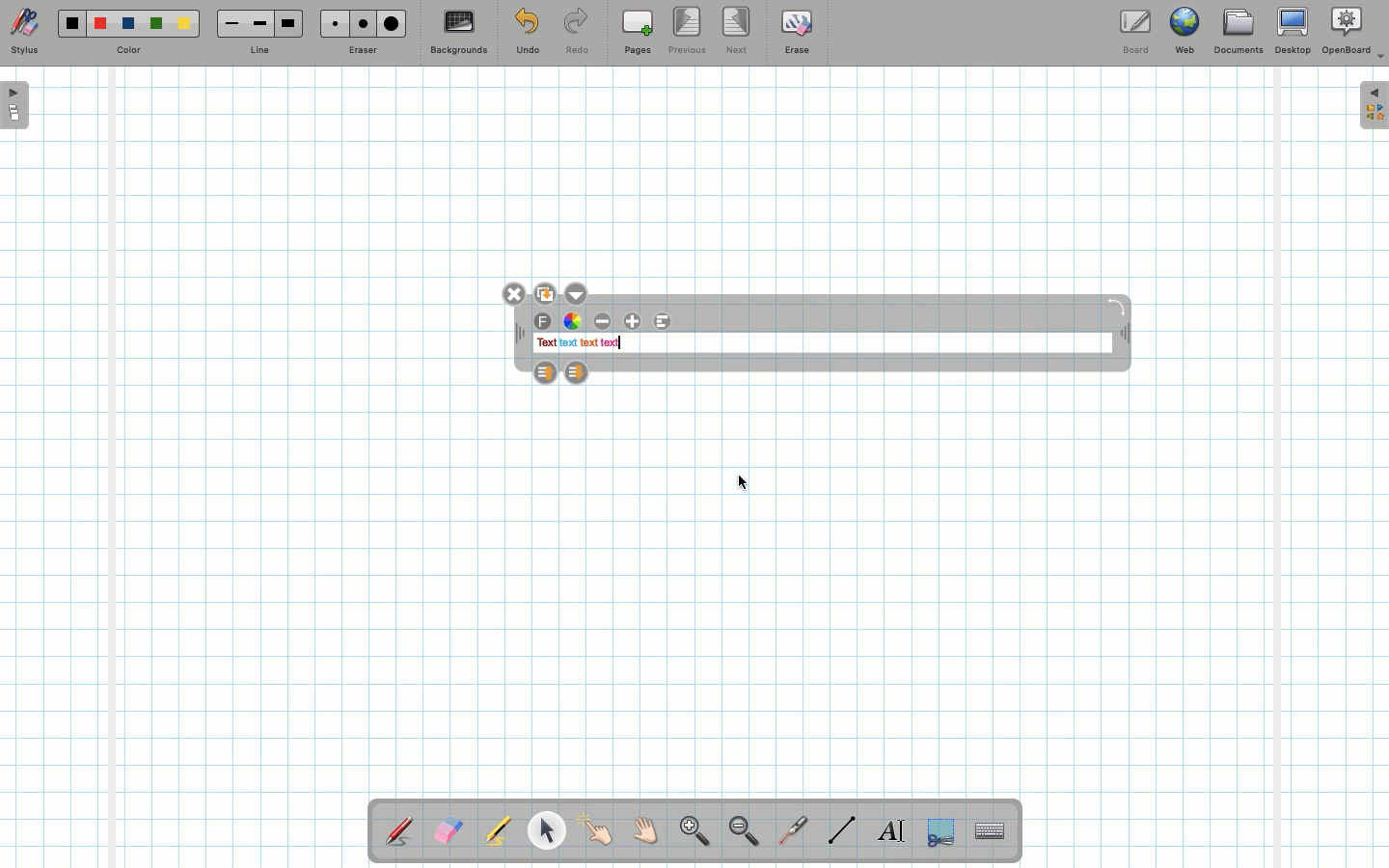 The height and width of the screenshot is (868, 1389). What do you see at coordinates (16, 104) in the screenshot?
I see `Open pages` at bounding box center [16, 104].